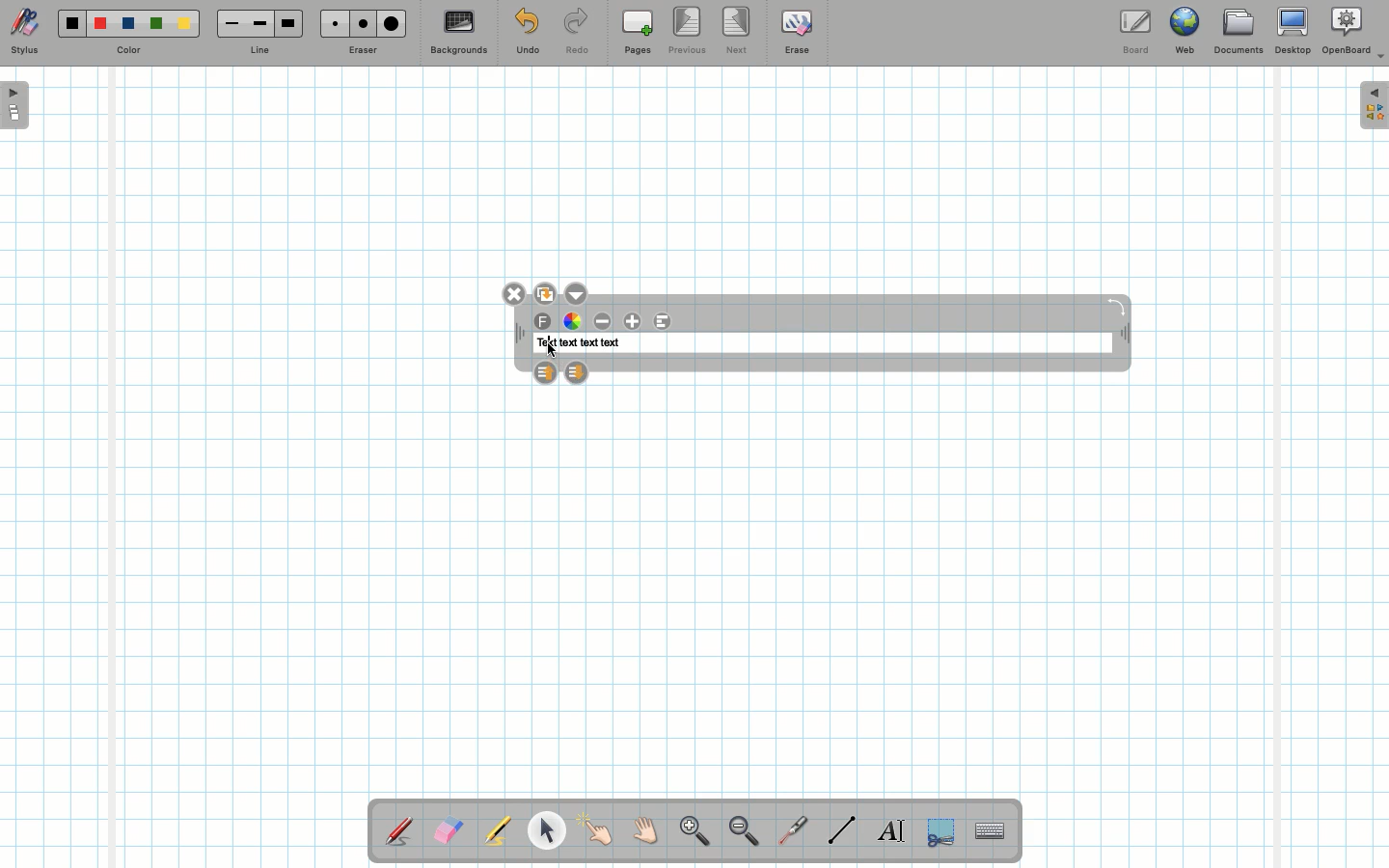 The width and height of the screenshot is (1389, 868). I want to click on Web, so click(1184, 35).